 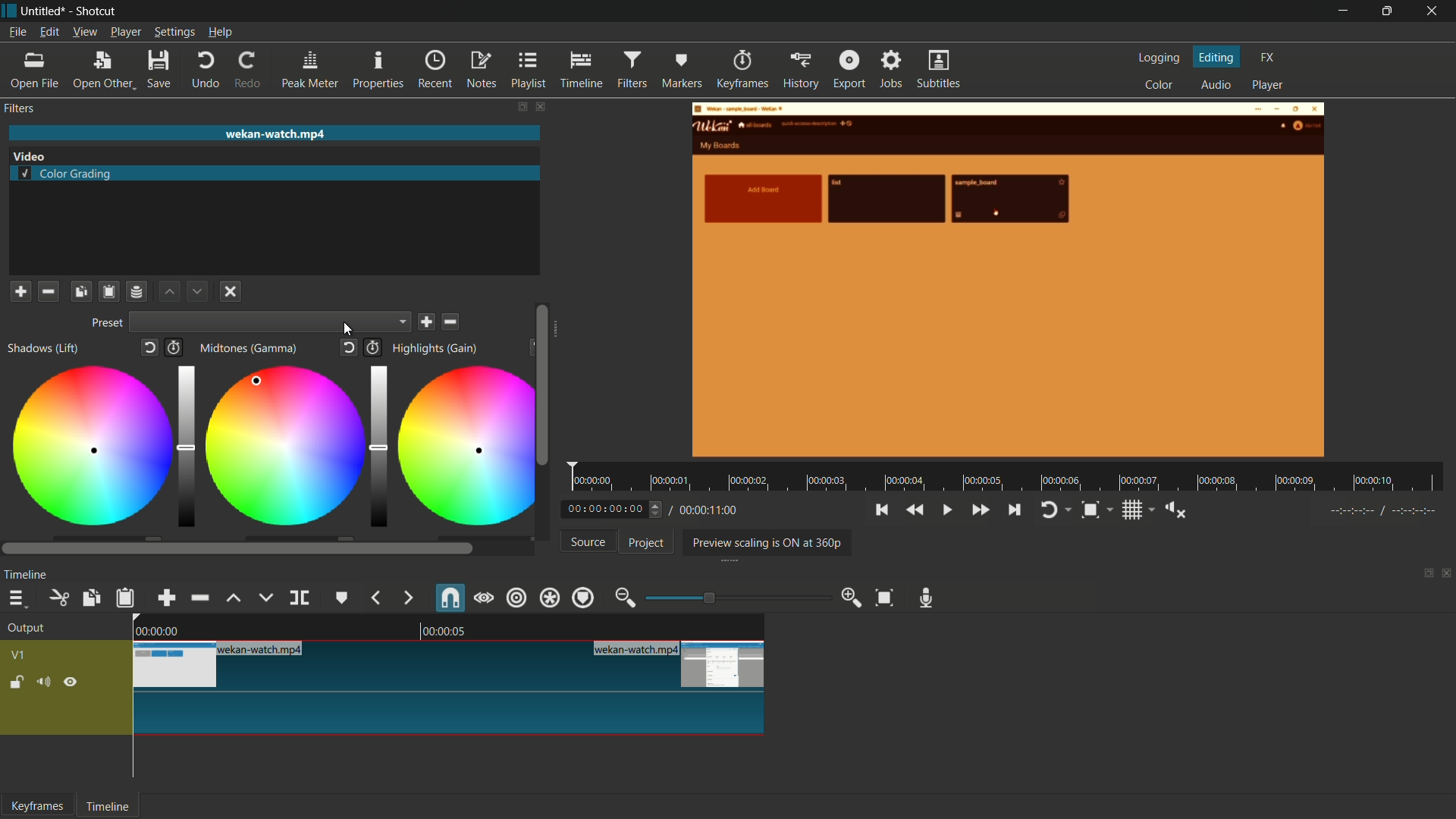 I want to click on adjustment bar, so click(x=187, y=447).